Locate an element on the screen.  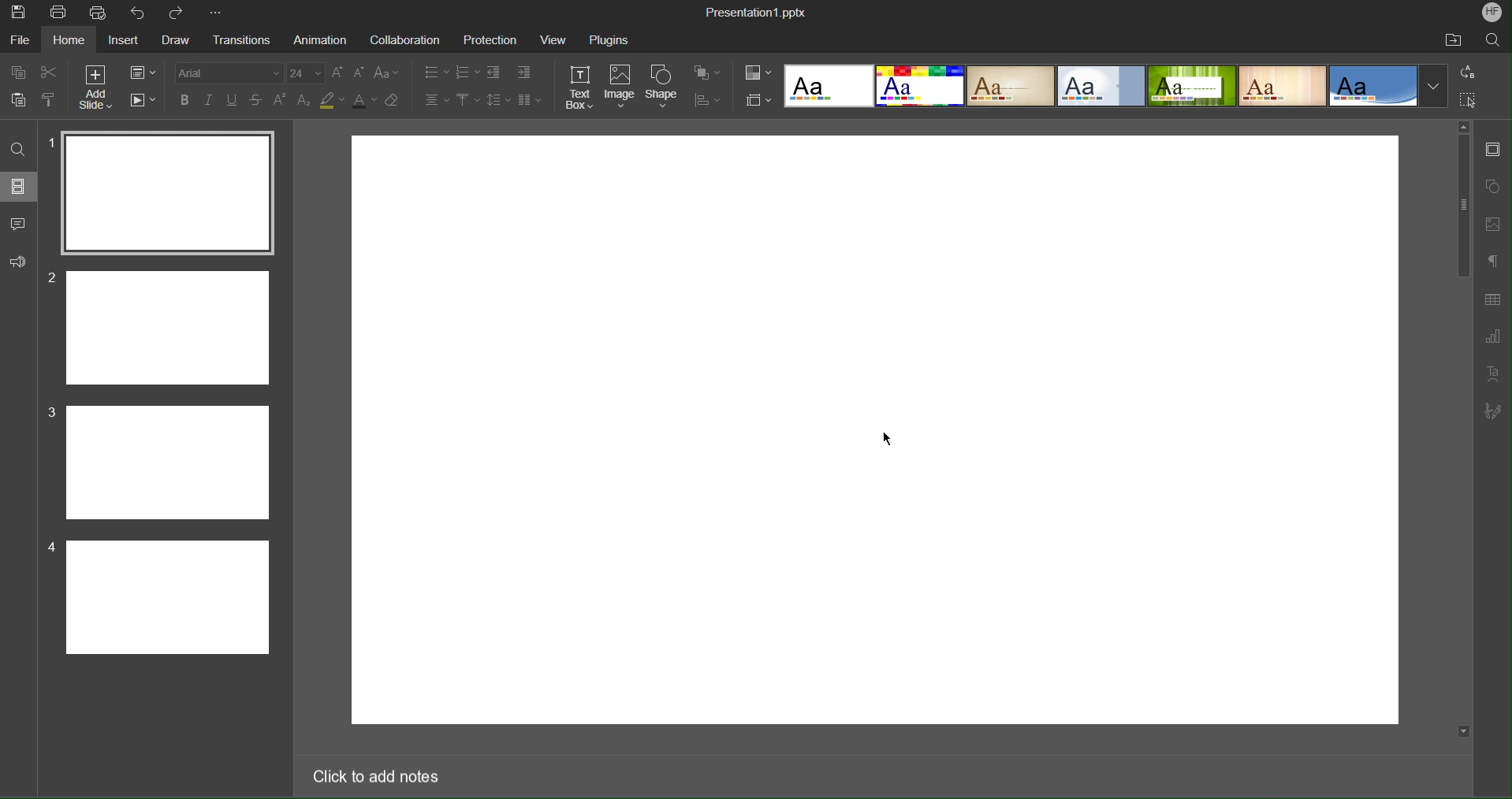
Columns is located at coordinates (527, 98).